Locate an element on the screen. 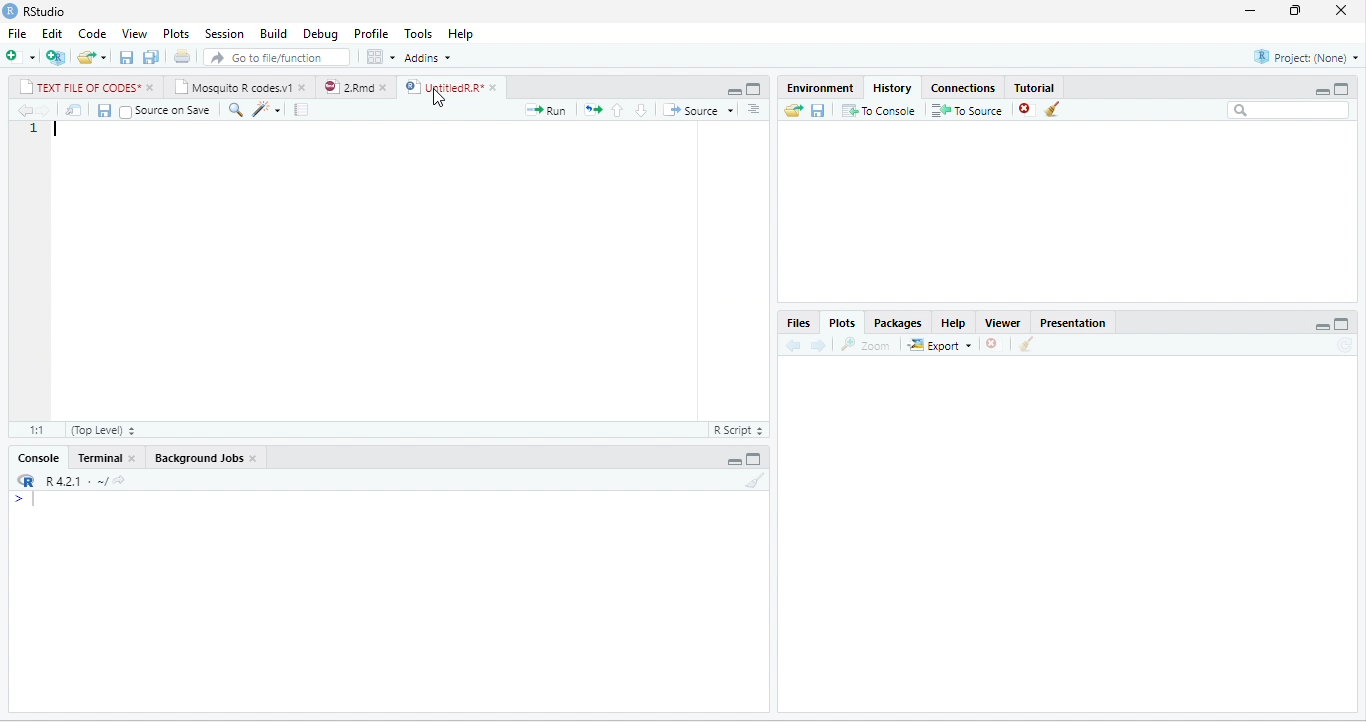  Project(None) is located at coordinates (1306, 57).